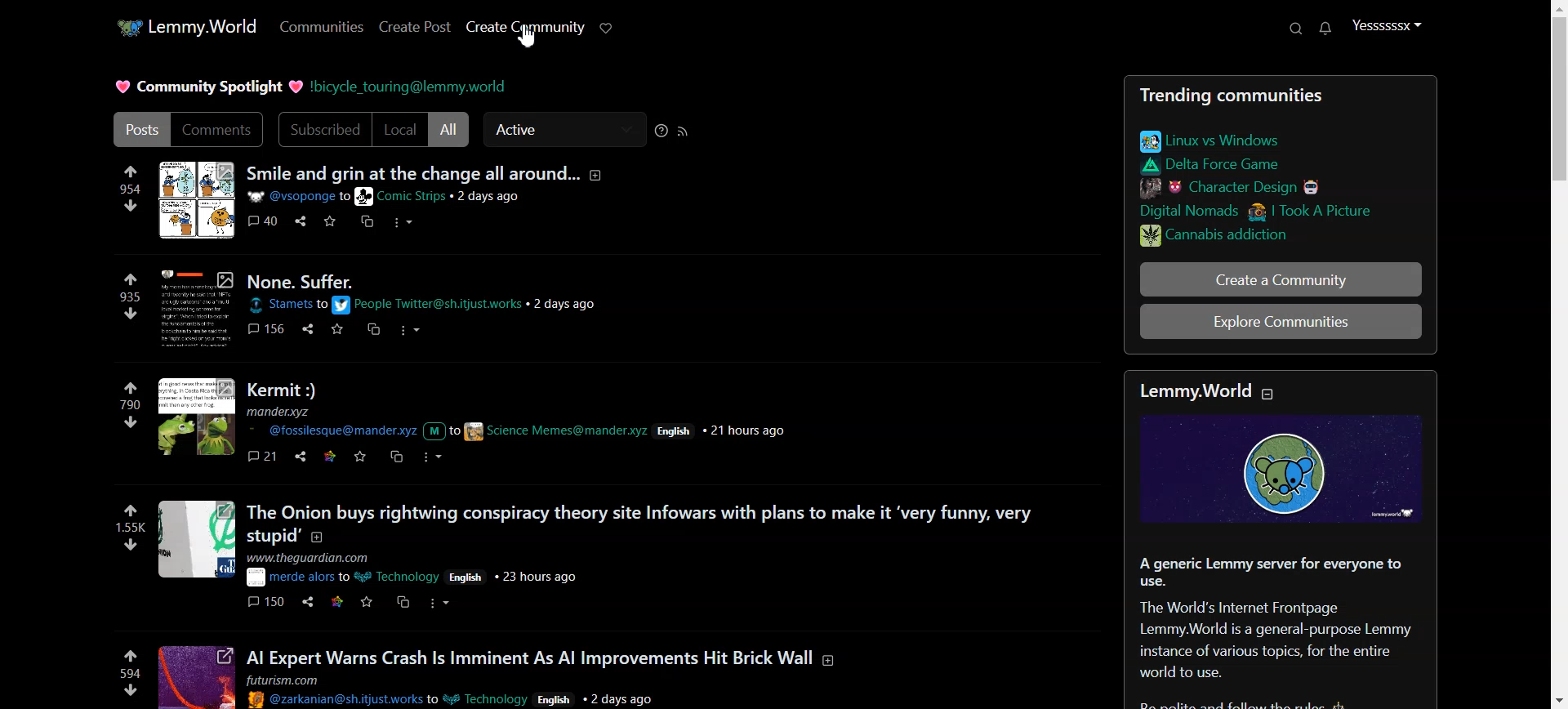  I want to click on save, so click(338, 328).